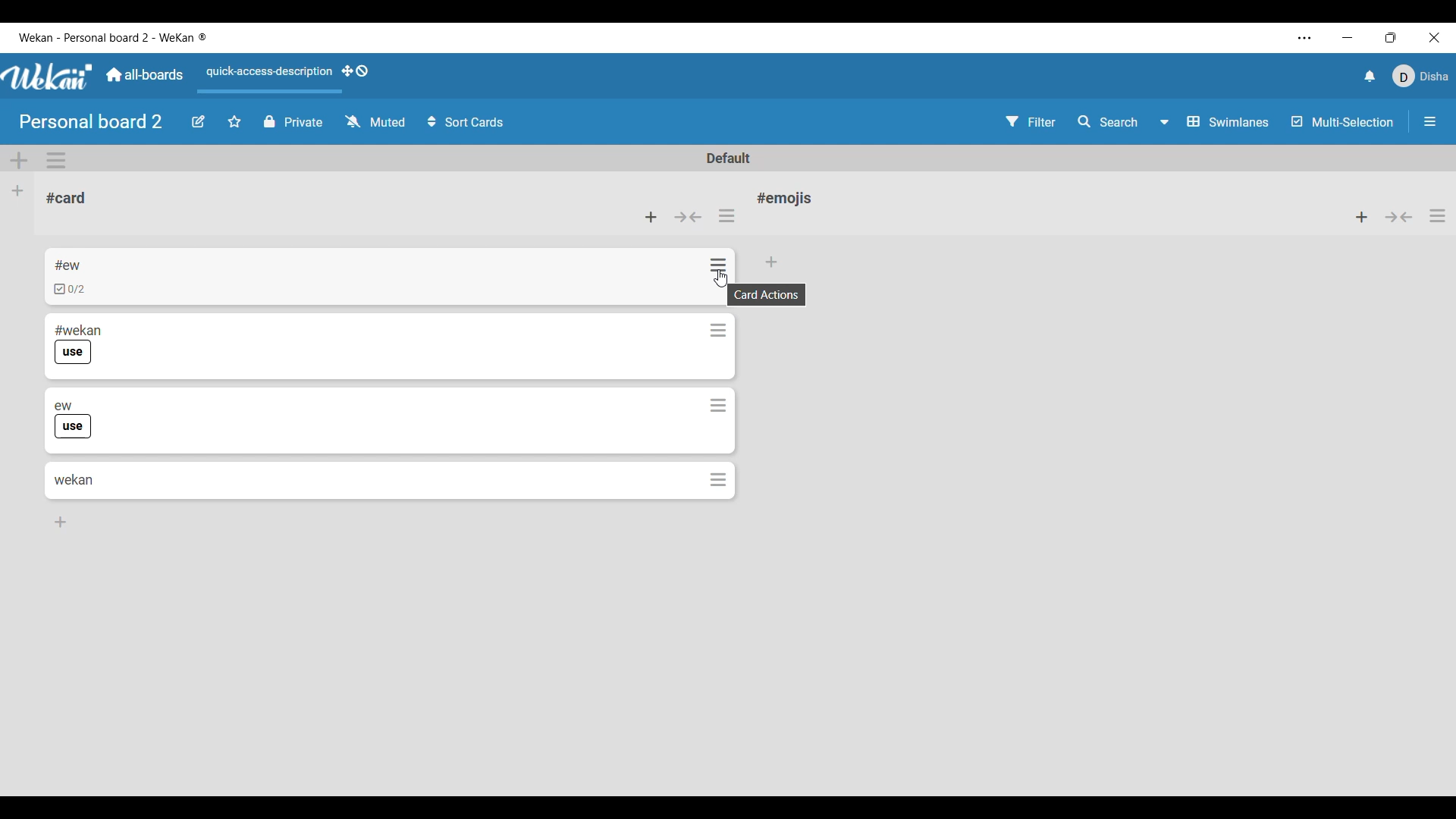 This screenshot has height=819, width=1456. I want to click on Software logo, so click(49, 76).